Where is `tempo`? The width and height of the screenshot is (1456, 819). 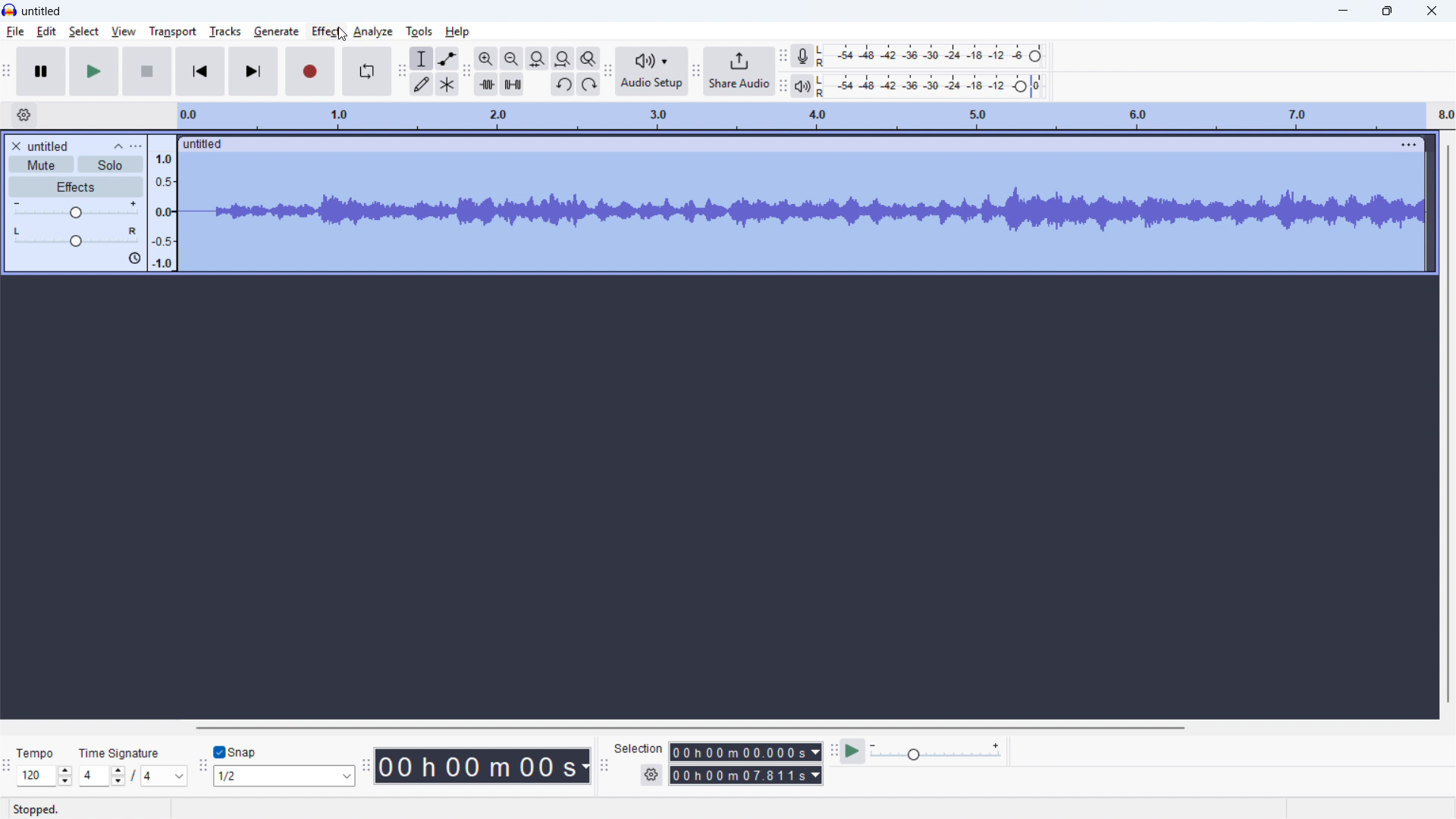
tempo is located at coordinates (36, 754).